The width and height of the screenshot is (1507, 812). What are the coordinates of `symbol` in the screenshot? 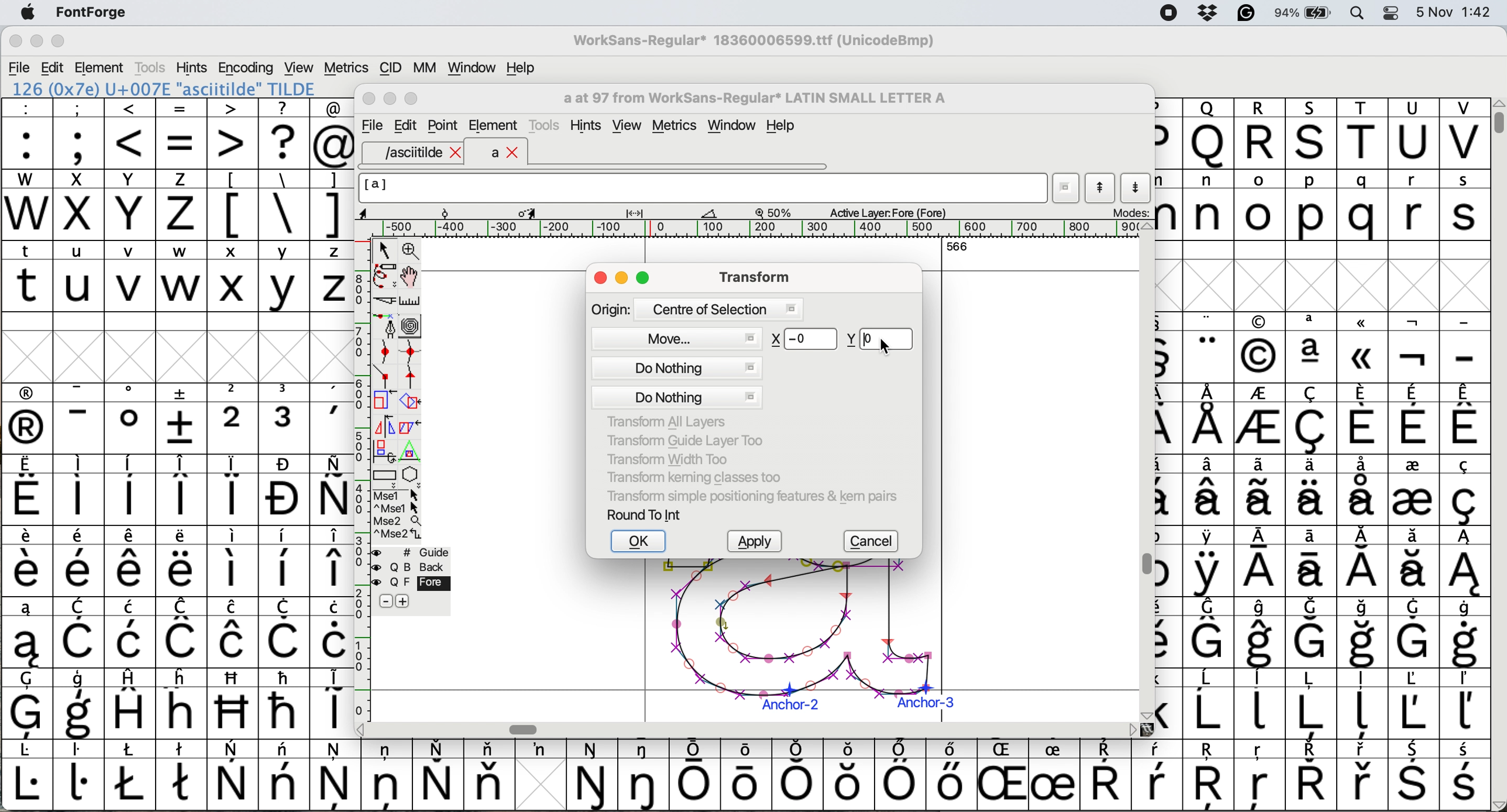 It's located at (1312, 562).